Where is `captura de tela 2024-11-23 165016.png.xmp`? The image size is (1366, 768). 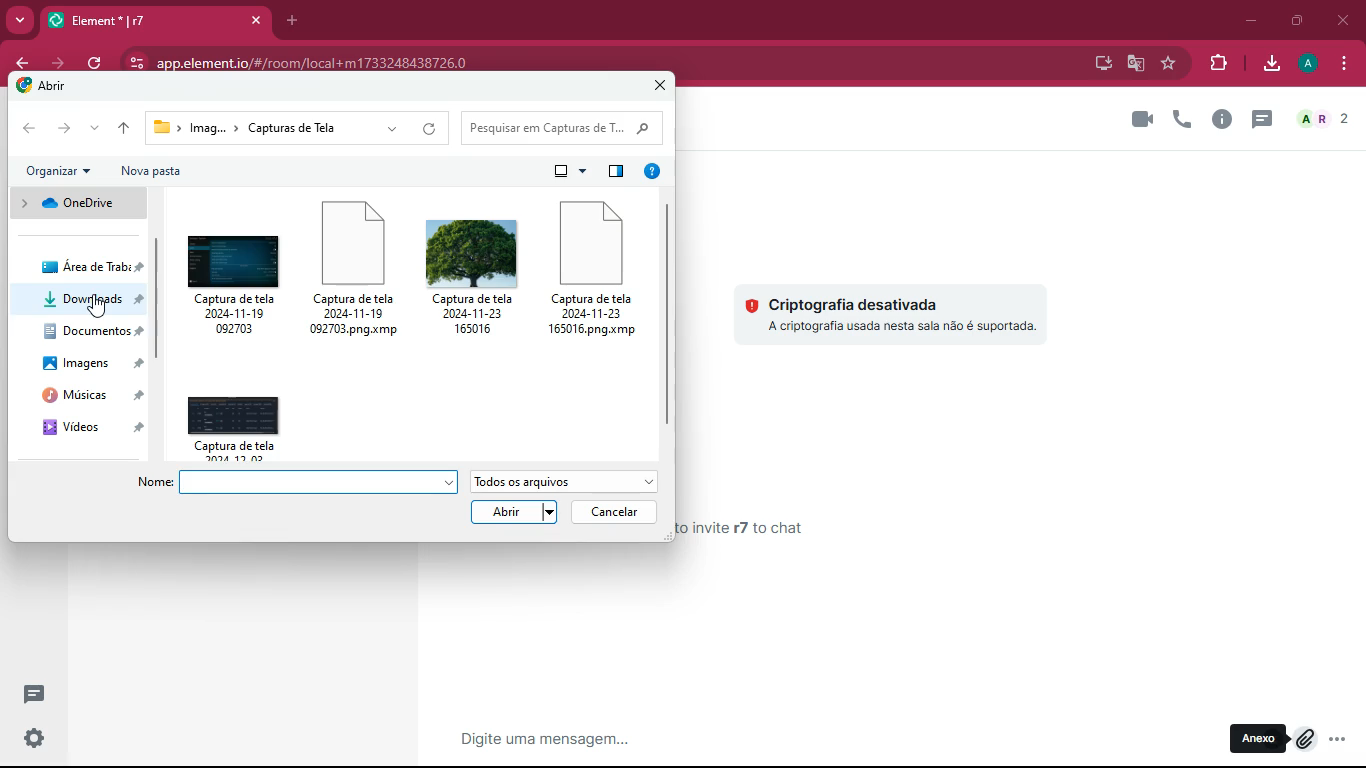 captura de tela 2024-11-23 165016.png.xmp is located at coordinates (599, 267).